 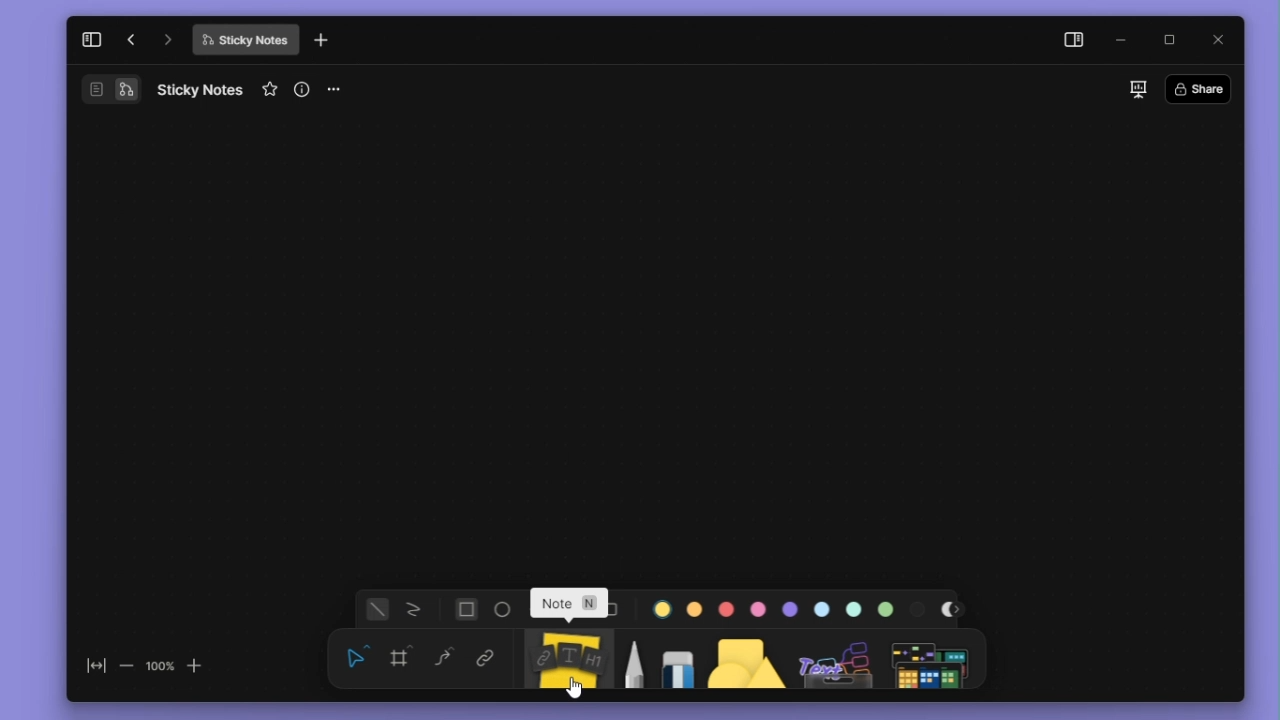 I want to click on color pallate, so click(x=855, y=610).